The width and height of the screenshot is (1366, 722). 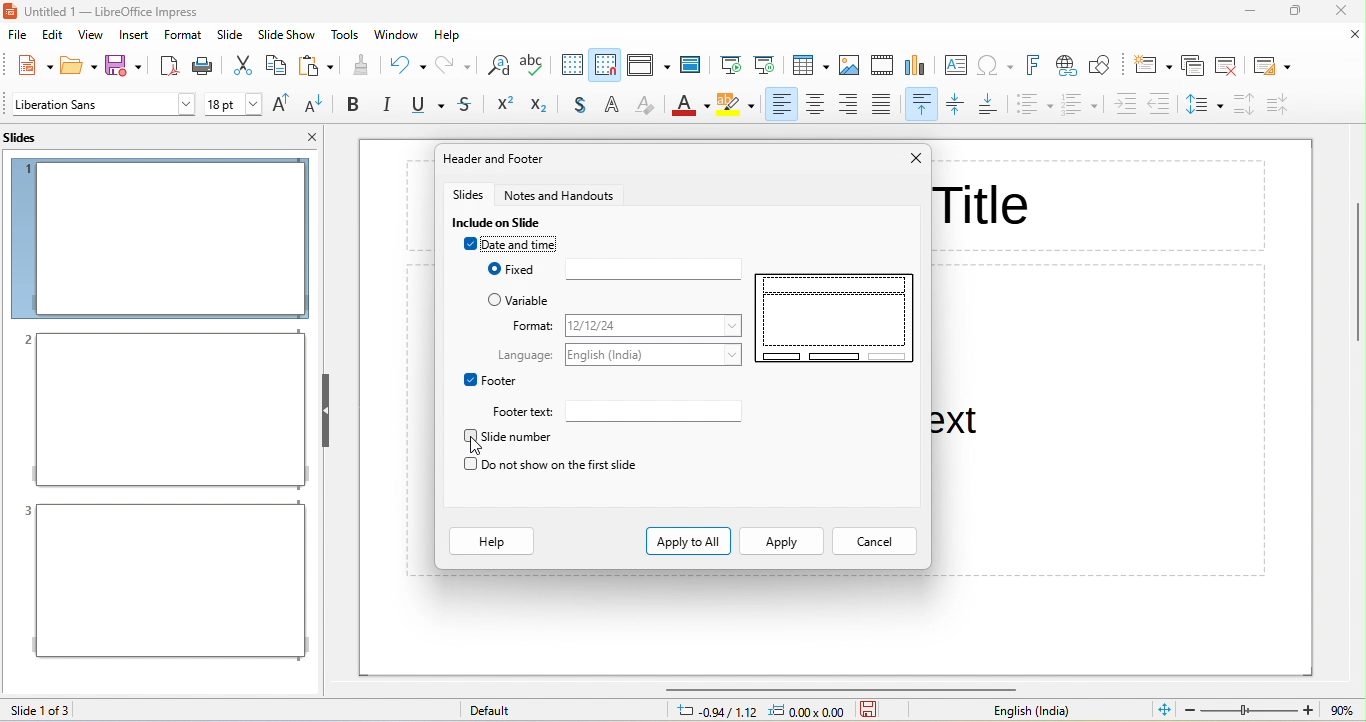 What do you see at coordinates (561, 465) in the screenshot?
I see `do not show on the first slide` at bounding box center [561, 465].